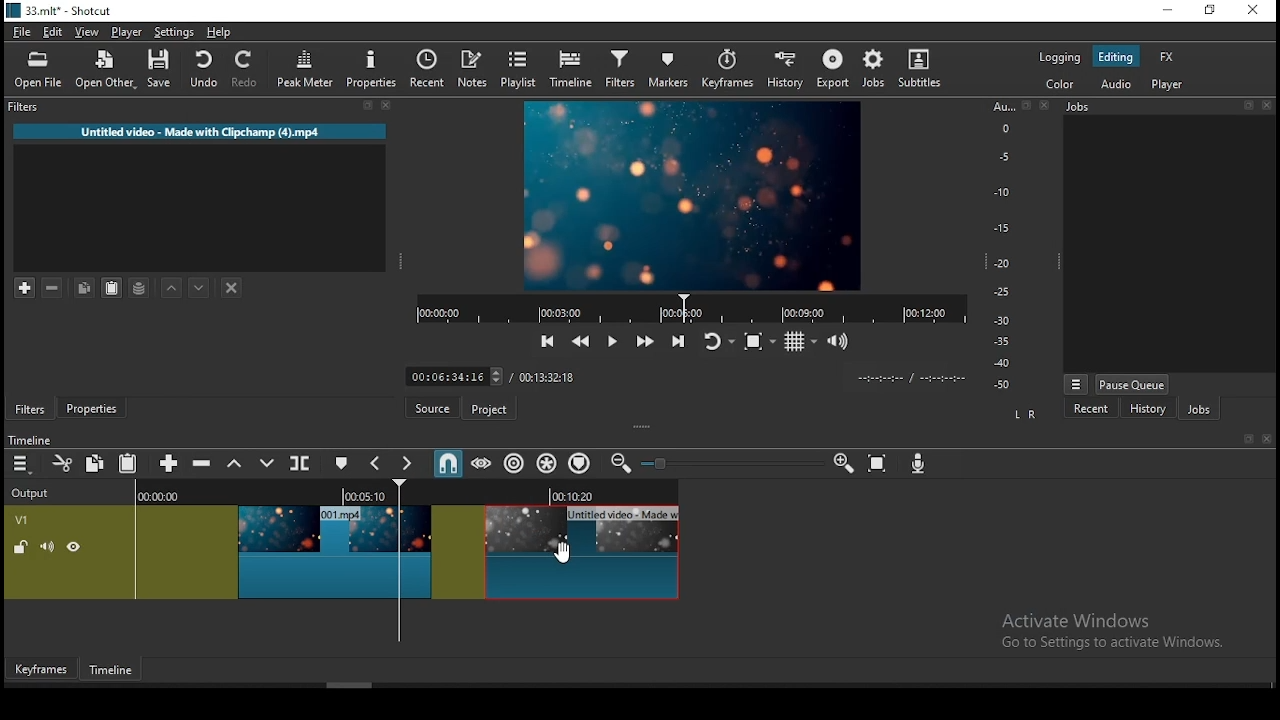 This screenshot has width=1280, height=720. What do you see at coordinates (1116, 58) in the screenshot?
I see `editing` at bounding box center [1116, 58].